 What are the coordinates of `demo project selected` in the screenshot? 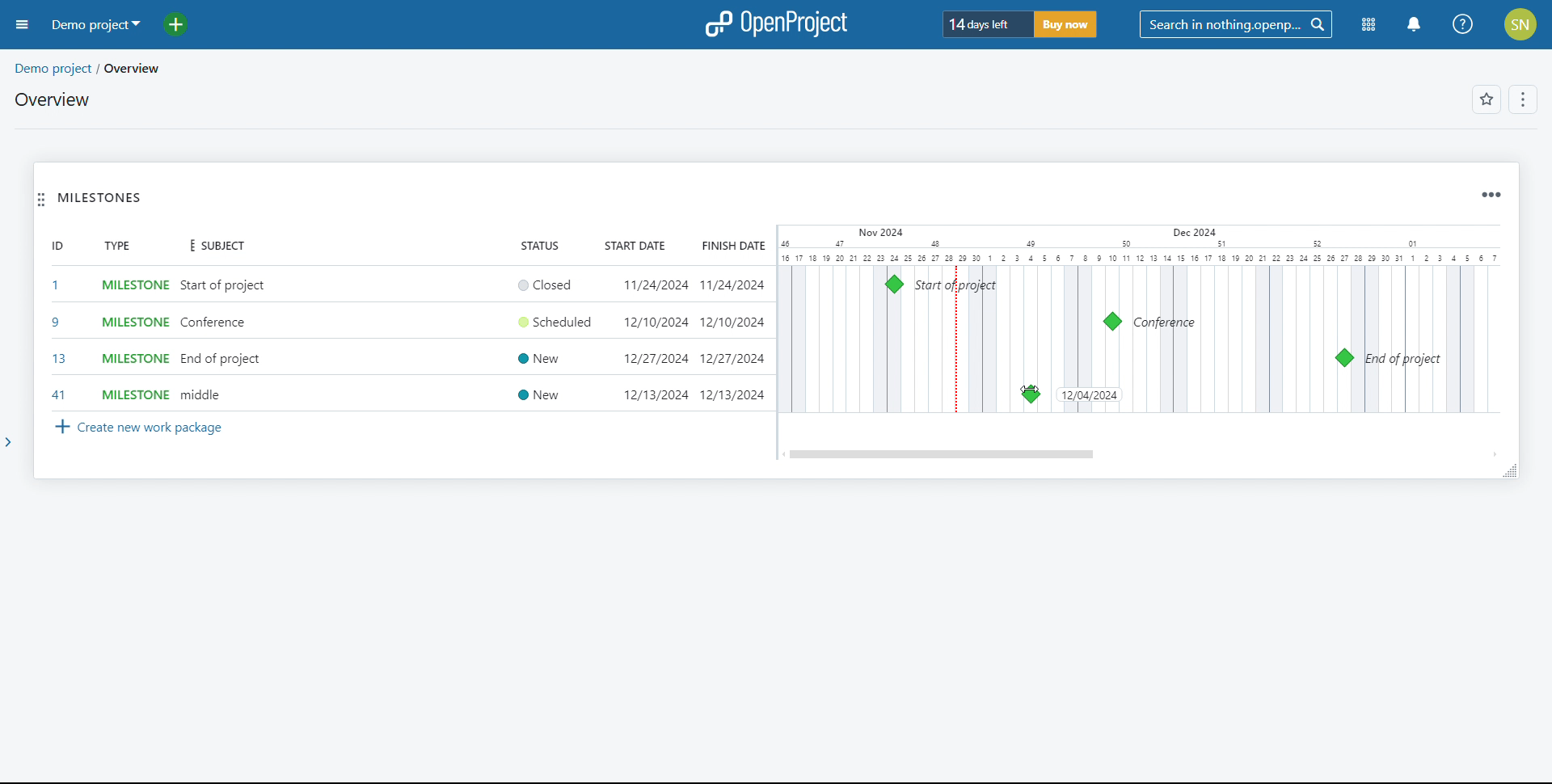 It's located at (95, 25).